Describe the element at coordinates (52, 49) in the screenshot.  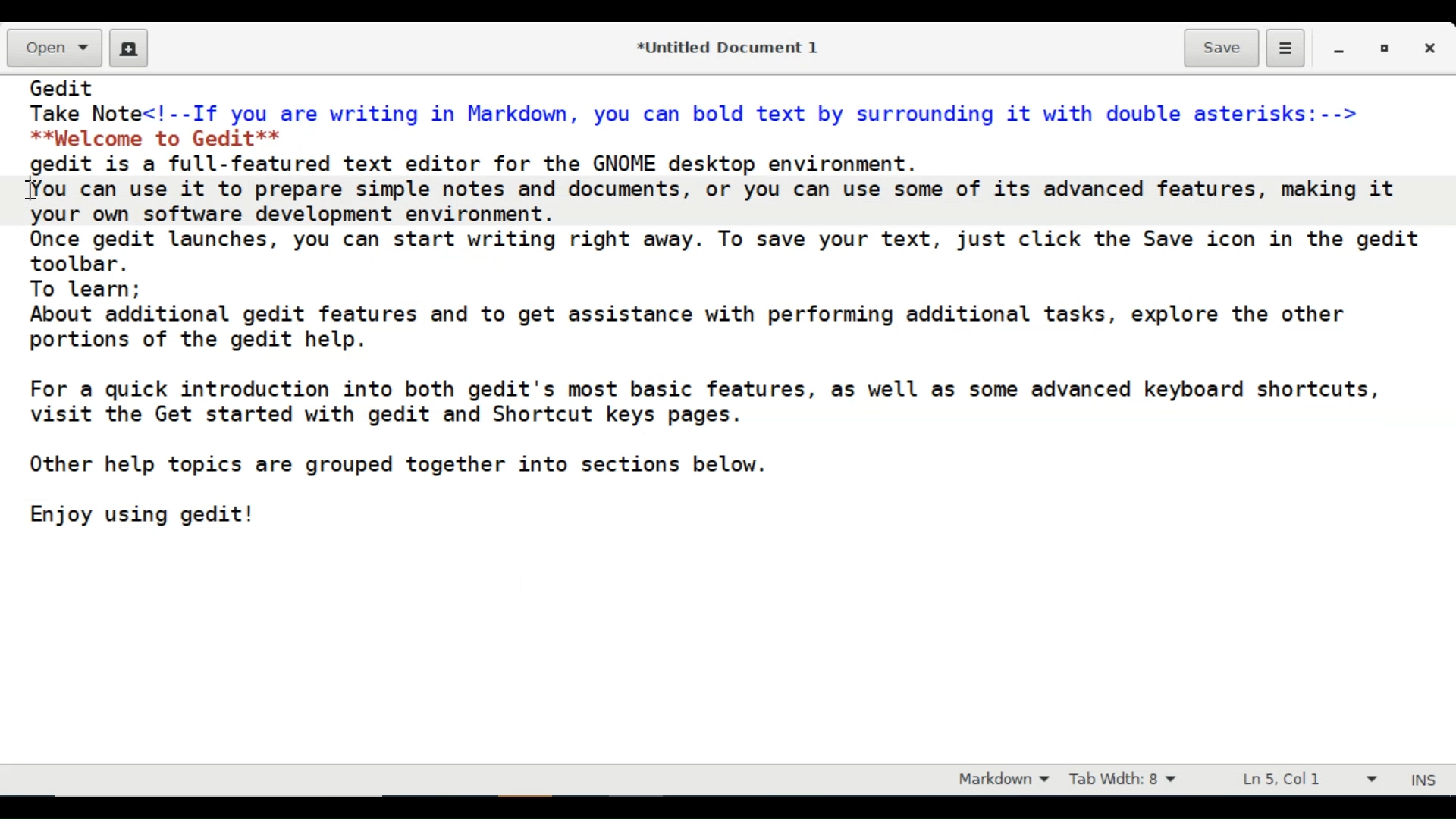
I see `Open` at that location.